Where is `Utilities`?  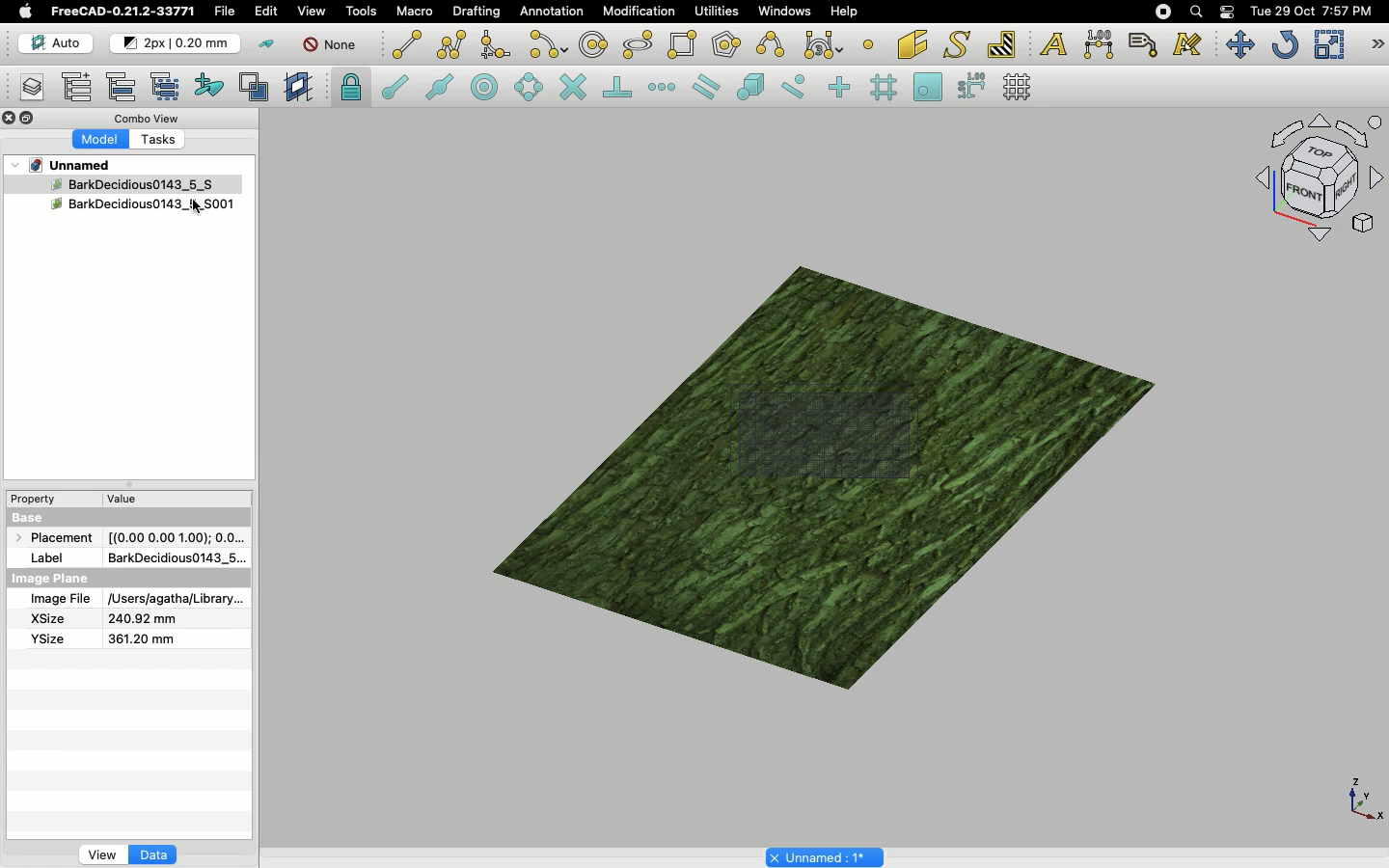
Utilities is located at coordinates (717, 12).